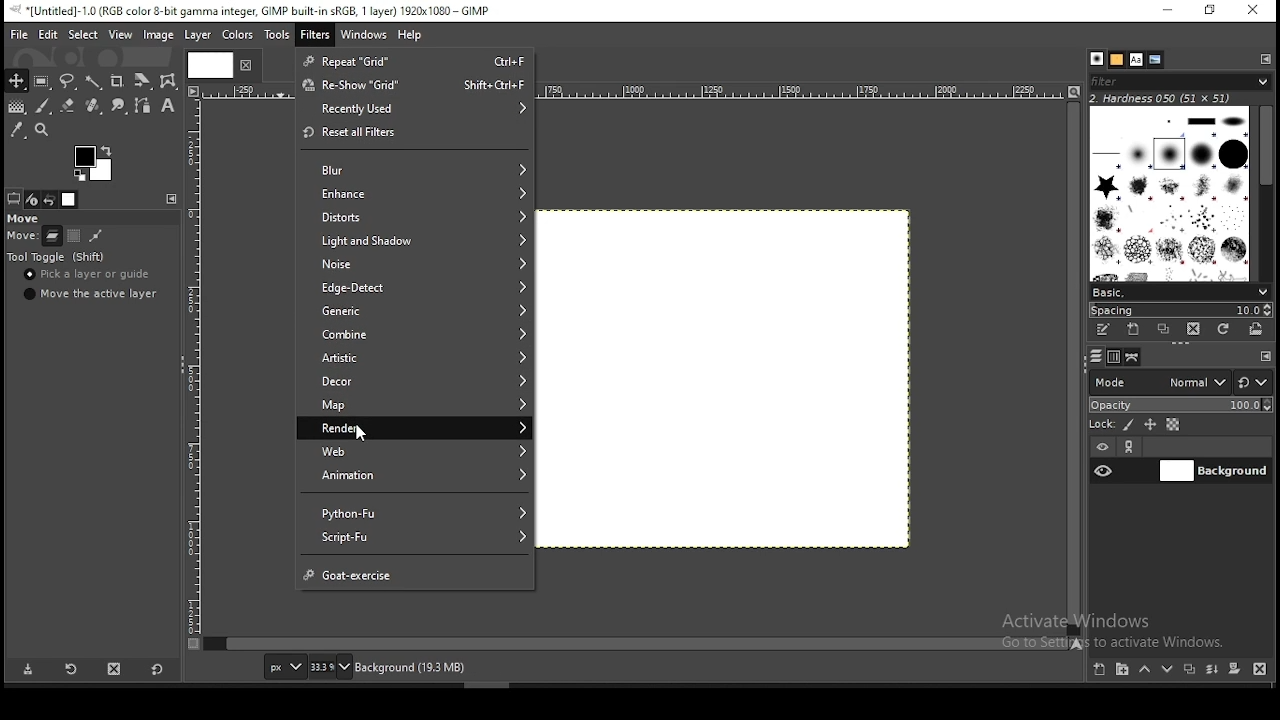  Describe the element at coordinates (140, 82) in the screenshot. I see `crop tool` at that location.